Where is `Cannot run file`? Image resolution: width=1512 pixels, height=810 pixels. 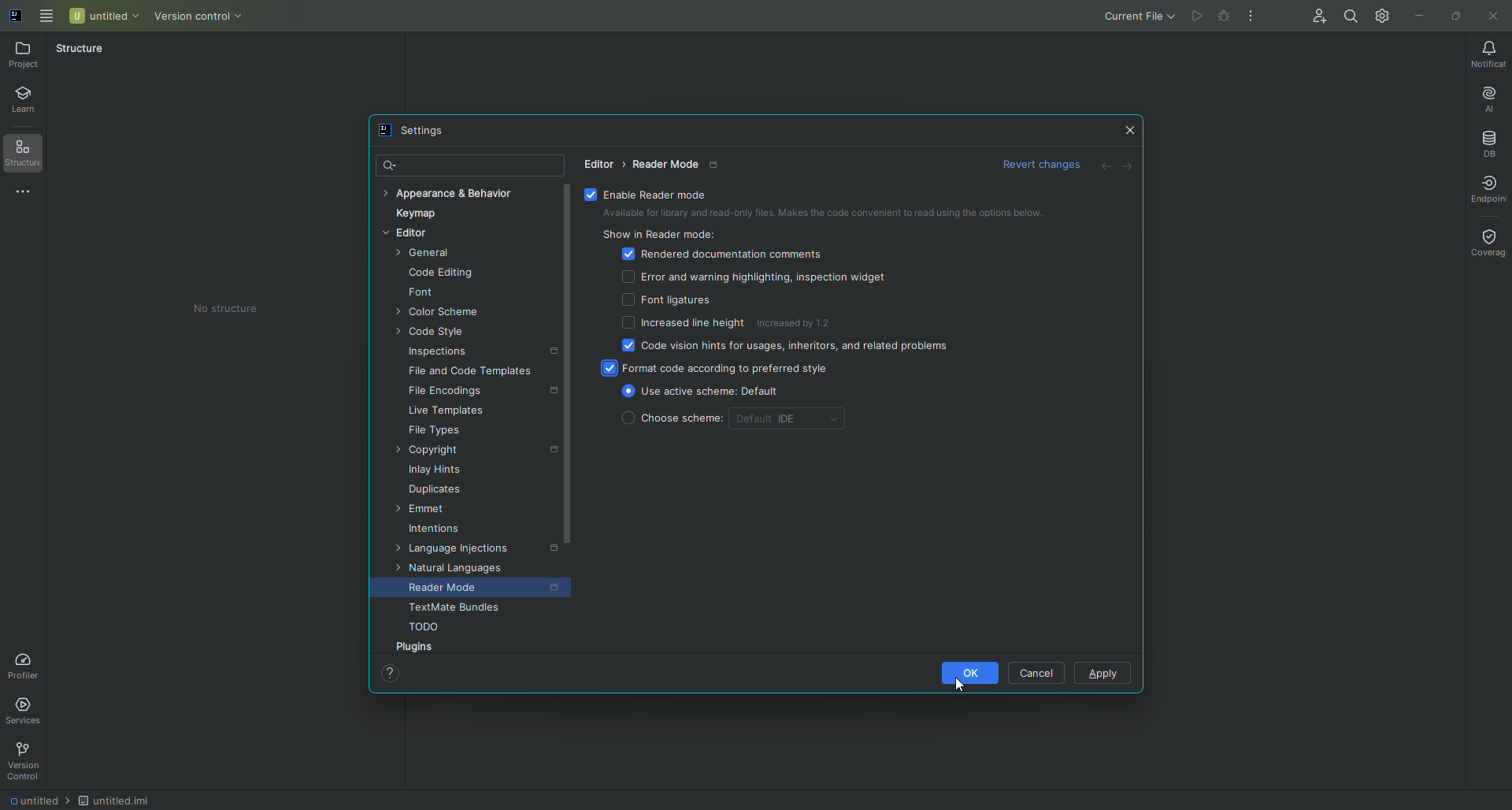
Cannot run file is located at coordinates (1196, 16).